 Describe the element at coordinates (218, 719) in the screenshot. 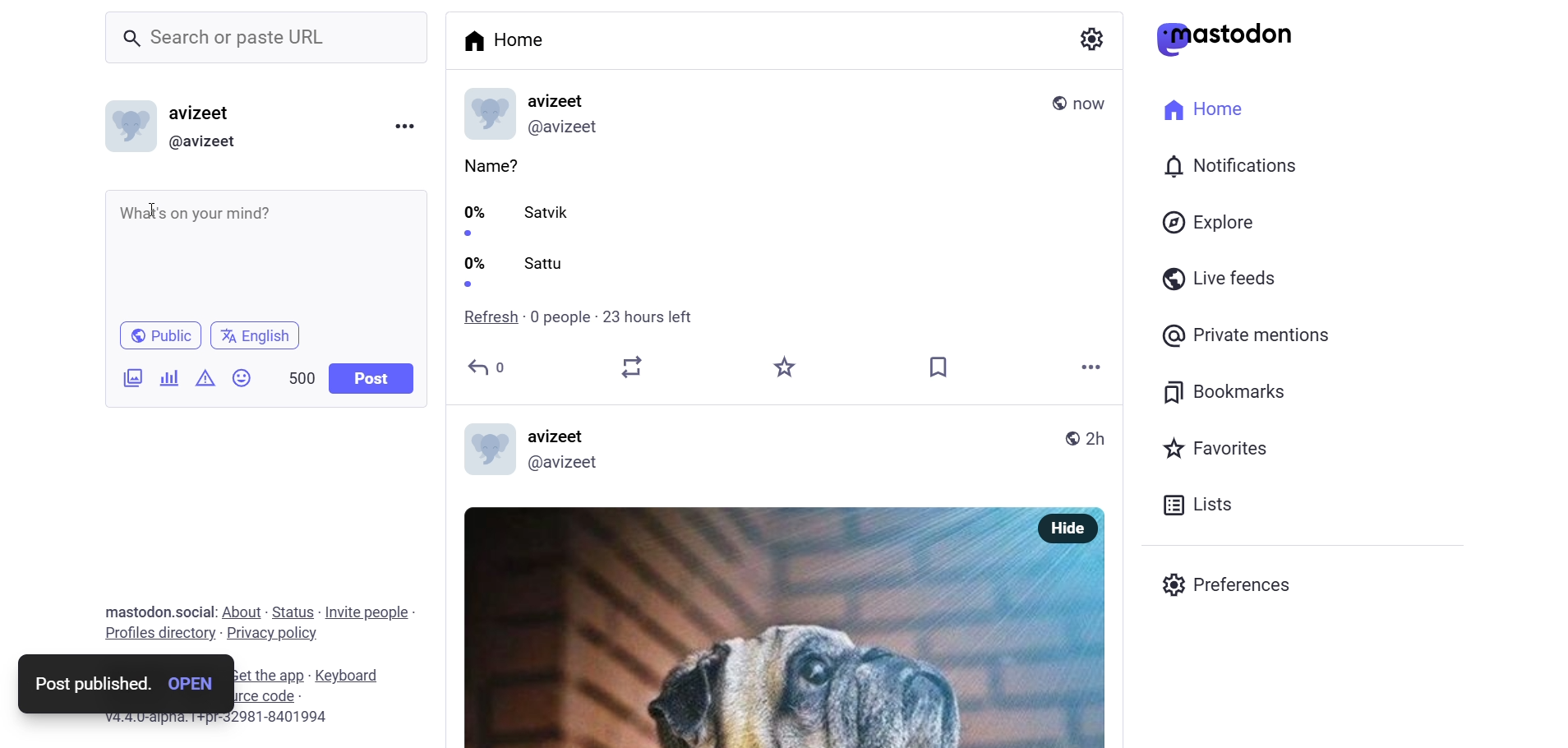

I see `version` at that location.